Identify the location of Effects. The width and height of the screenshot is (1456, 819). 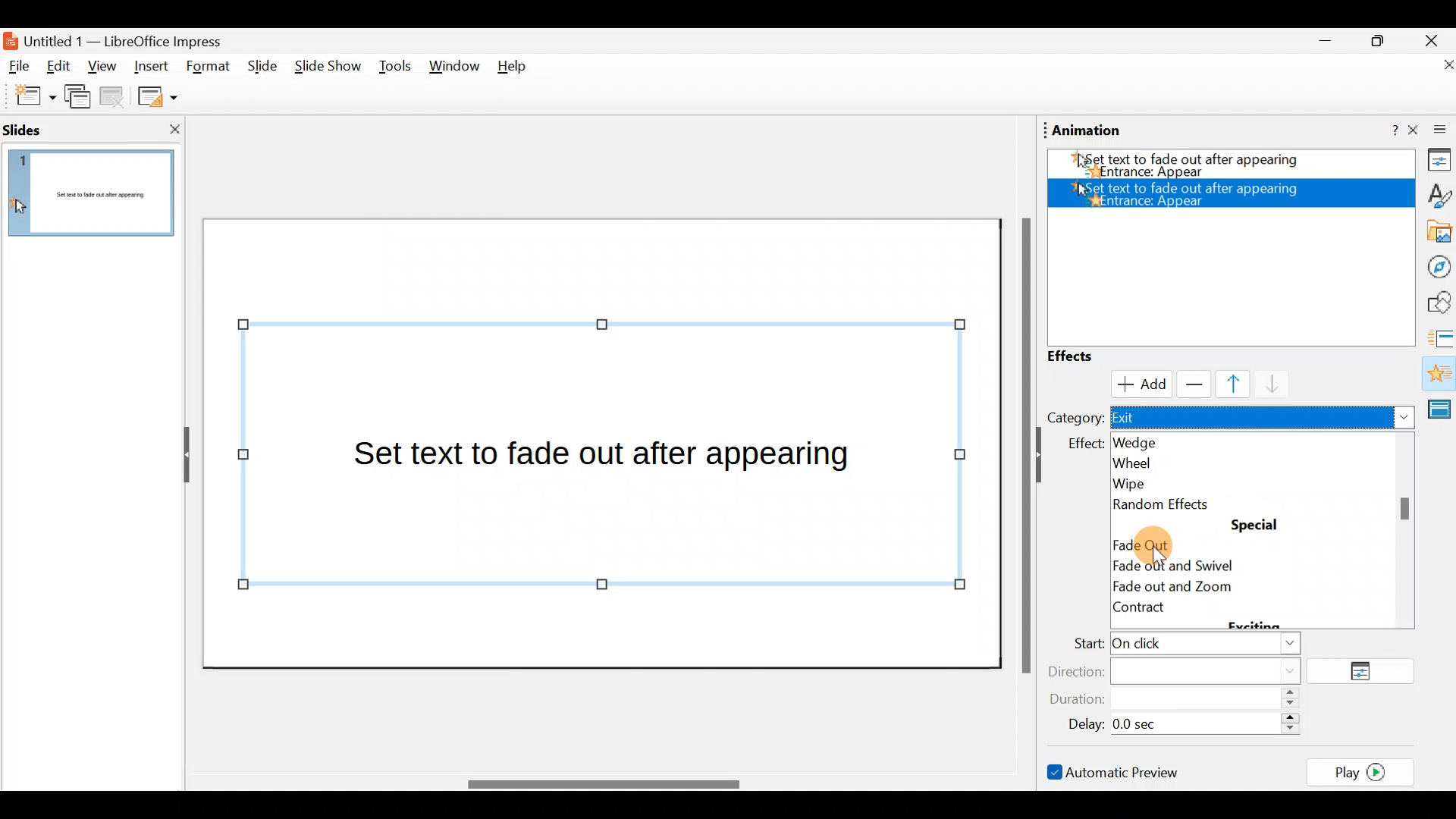
(1084, 356).